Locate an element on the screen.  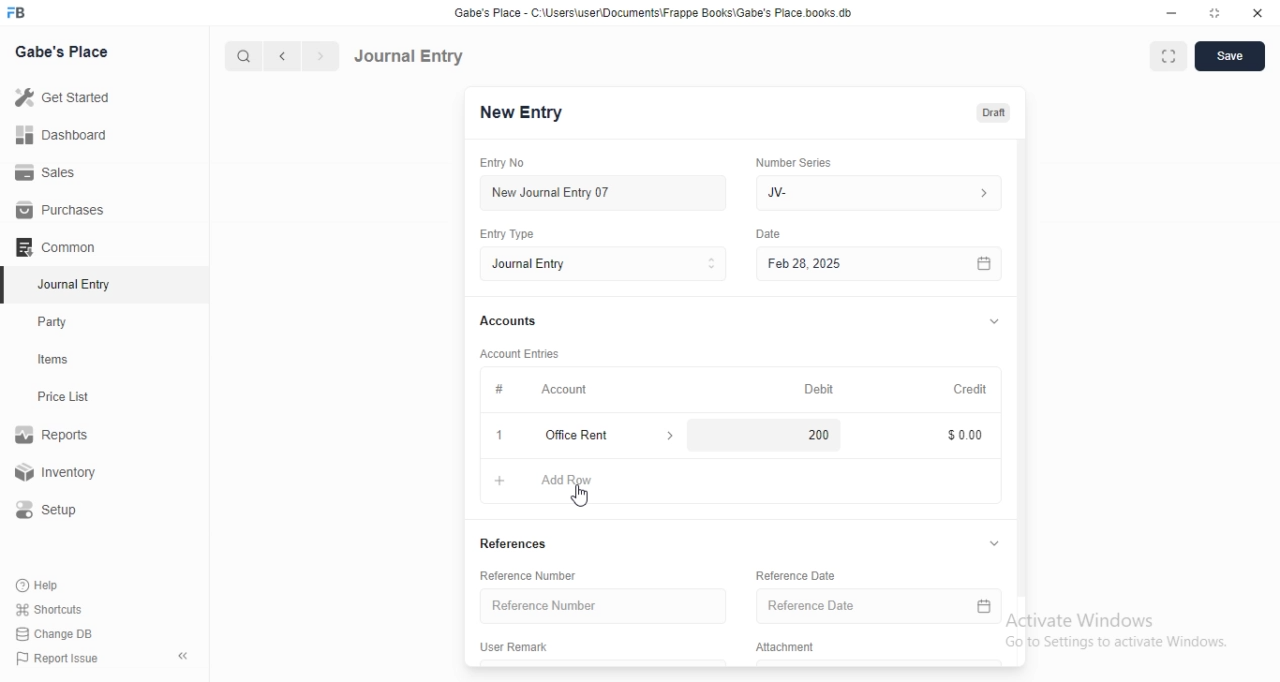
close is located at coordinates (1258, 12).